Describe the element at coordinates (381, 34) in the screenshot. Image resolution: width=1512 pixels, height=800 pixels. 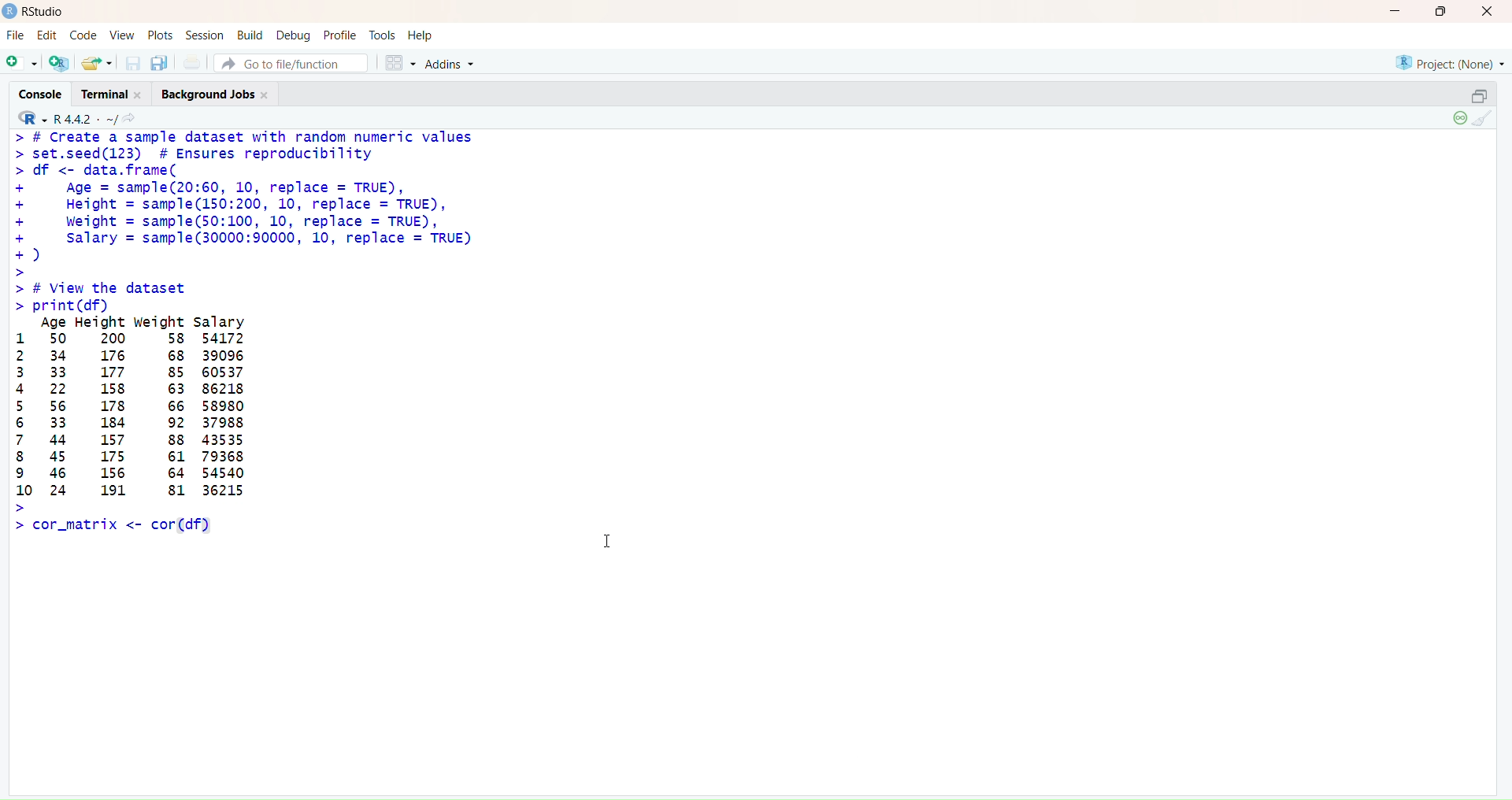
I see `Tools` at that location.